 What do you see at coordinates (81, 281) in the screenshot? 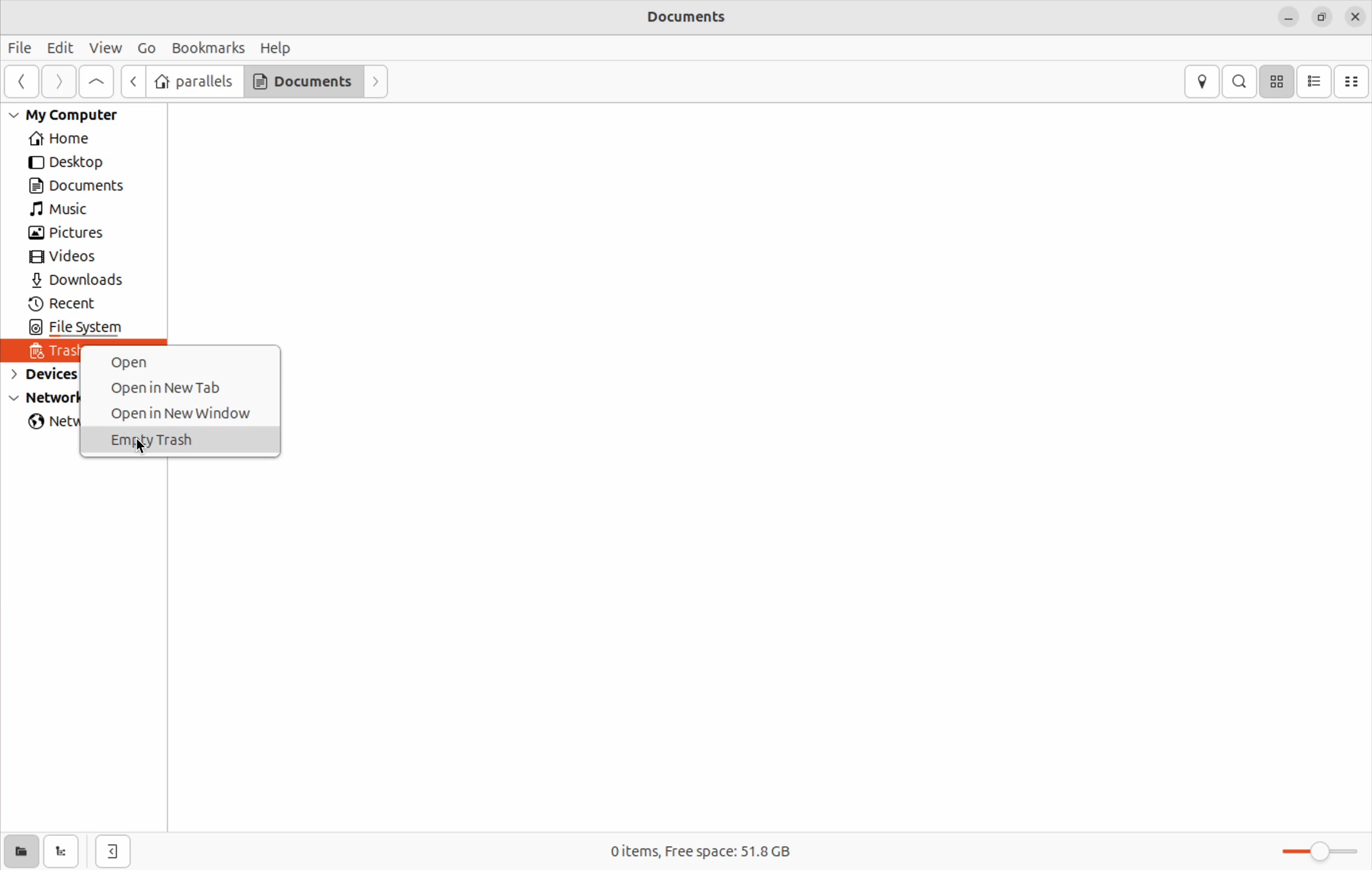
I see `Downlaods` at bounding box center [81, 281].